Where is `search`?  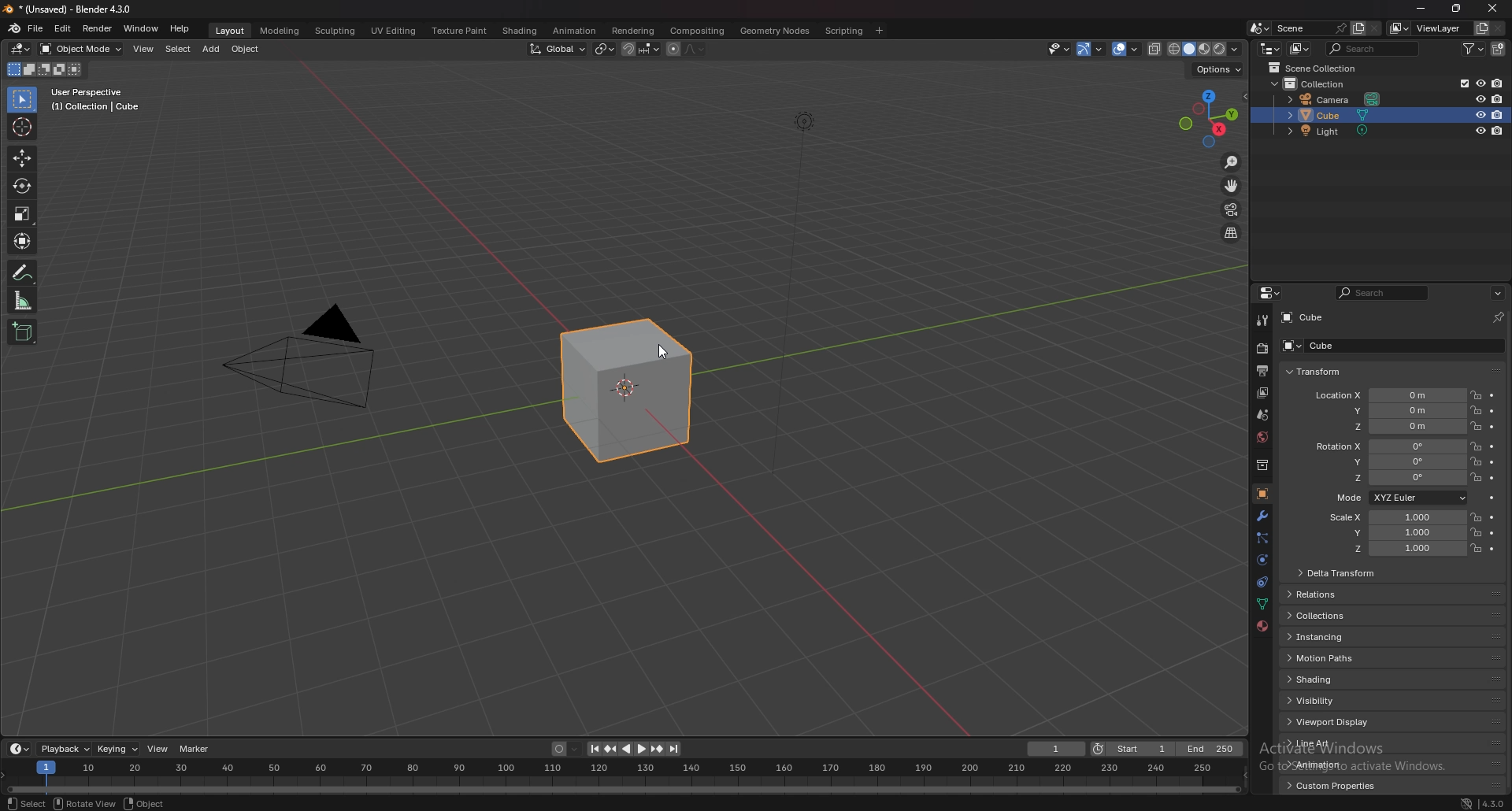
search is located at coordinates (1384, 293).